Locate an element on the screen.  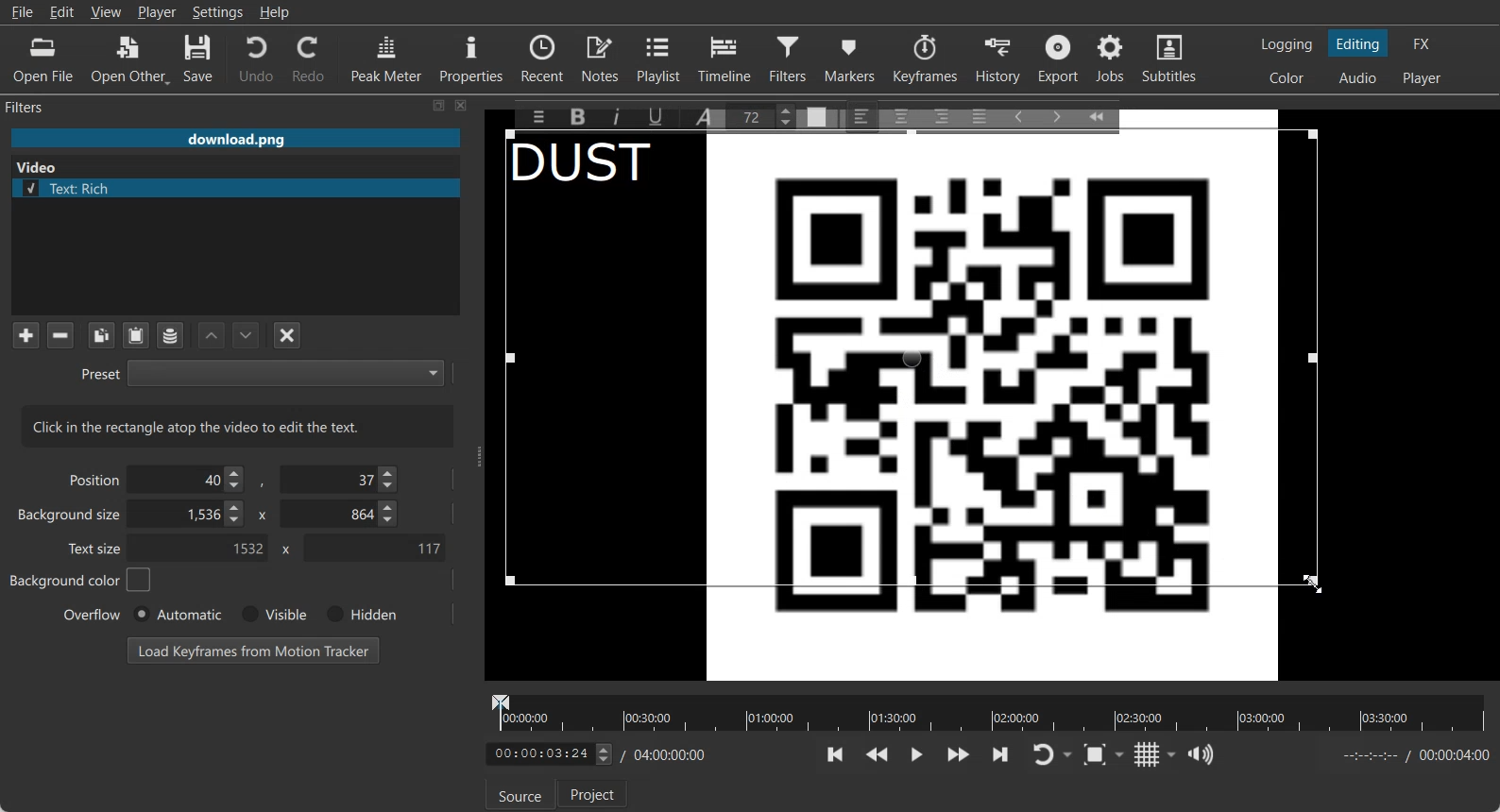
x is located at coordinates (282, 550).